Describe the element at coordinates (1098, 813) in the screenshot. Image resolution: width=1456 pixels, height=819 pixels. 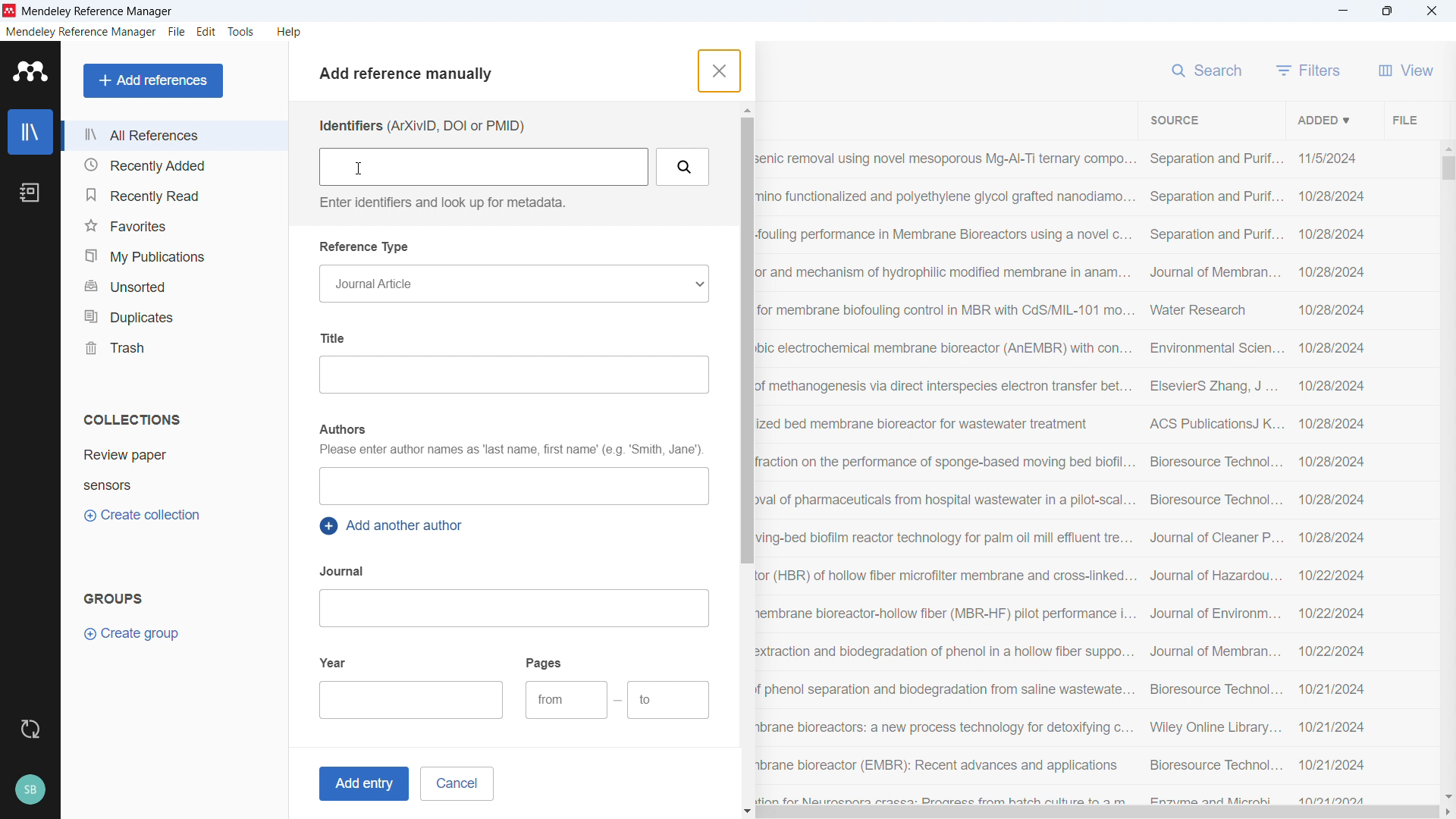
I see `Horizontal scroll bar ` at that location.